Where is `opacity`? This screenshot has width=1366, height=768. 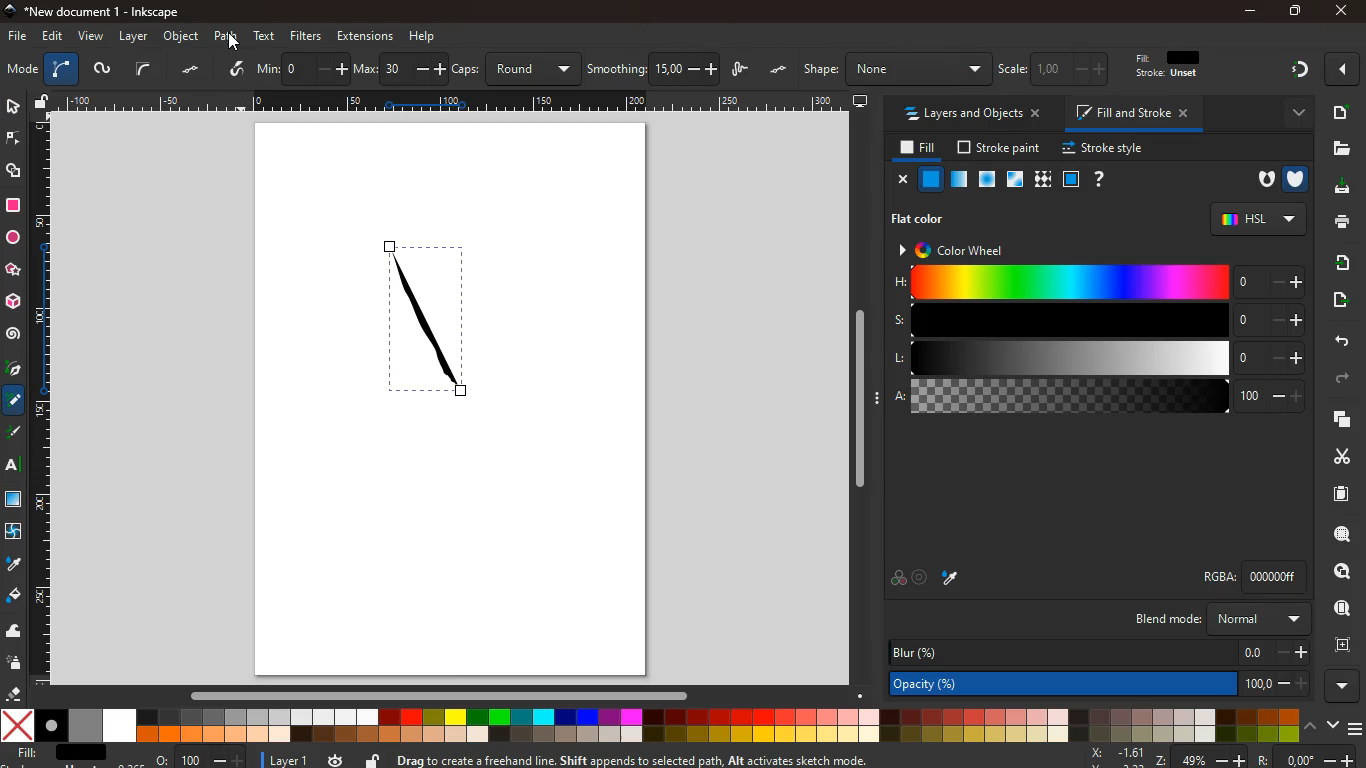
opacity is located at coordinates (1100, 685).